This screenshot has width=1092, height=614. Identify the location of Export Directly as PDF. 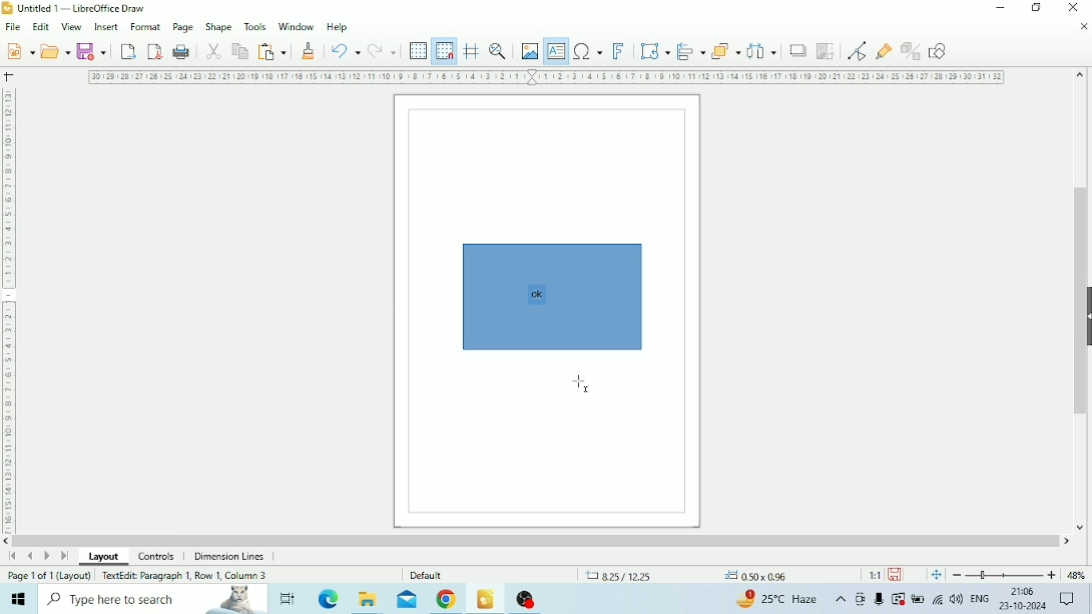
(155, 52).